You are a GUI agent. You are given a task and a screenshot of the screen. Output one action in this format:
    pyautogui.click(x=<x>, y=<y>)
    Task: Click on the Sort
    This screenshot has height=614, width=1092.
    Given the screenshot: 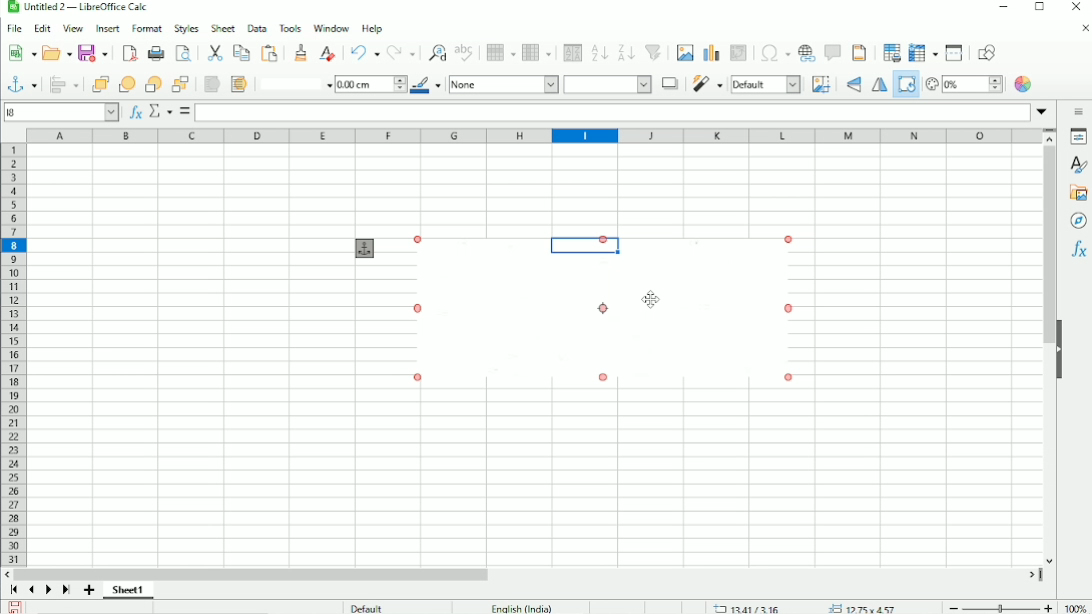 What is the action you would take?
    pyautogui.click(x=572, y=53)
    